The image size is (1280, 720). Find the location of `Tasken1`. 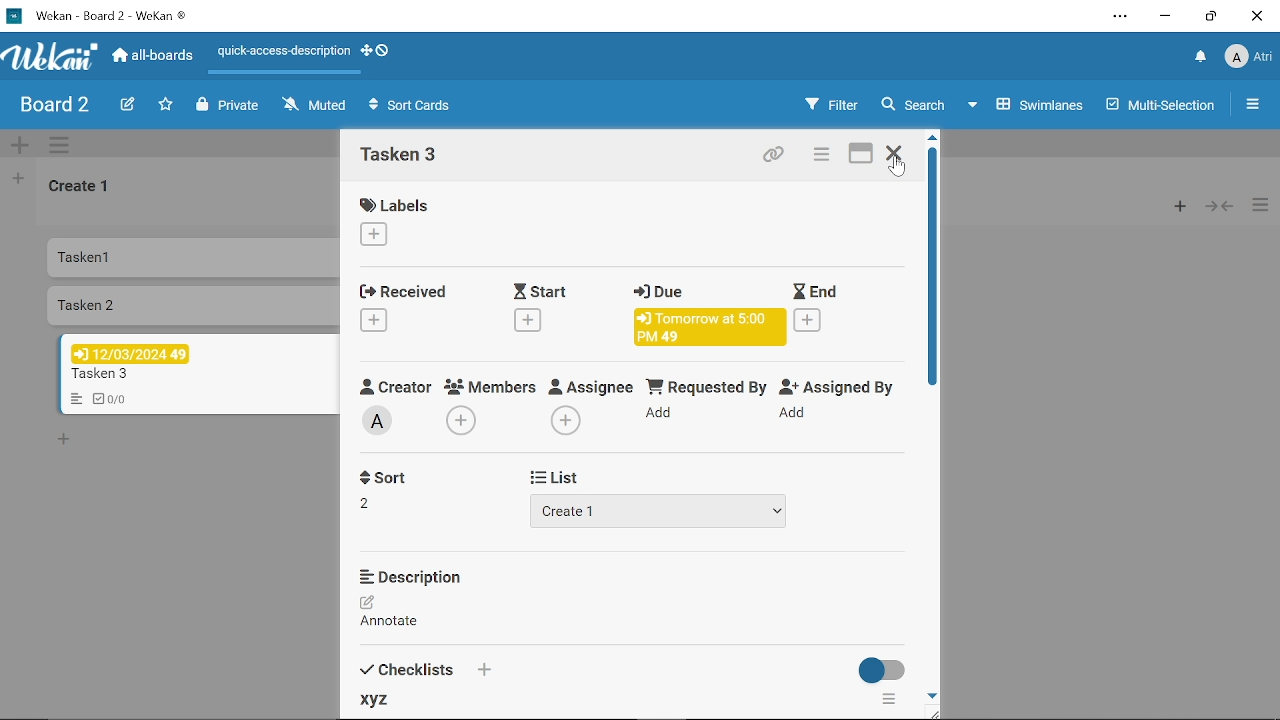

Tasken1 is located at coordinates (189, 258).